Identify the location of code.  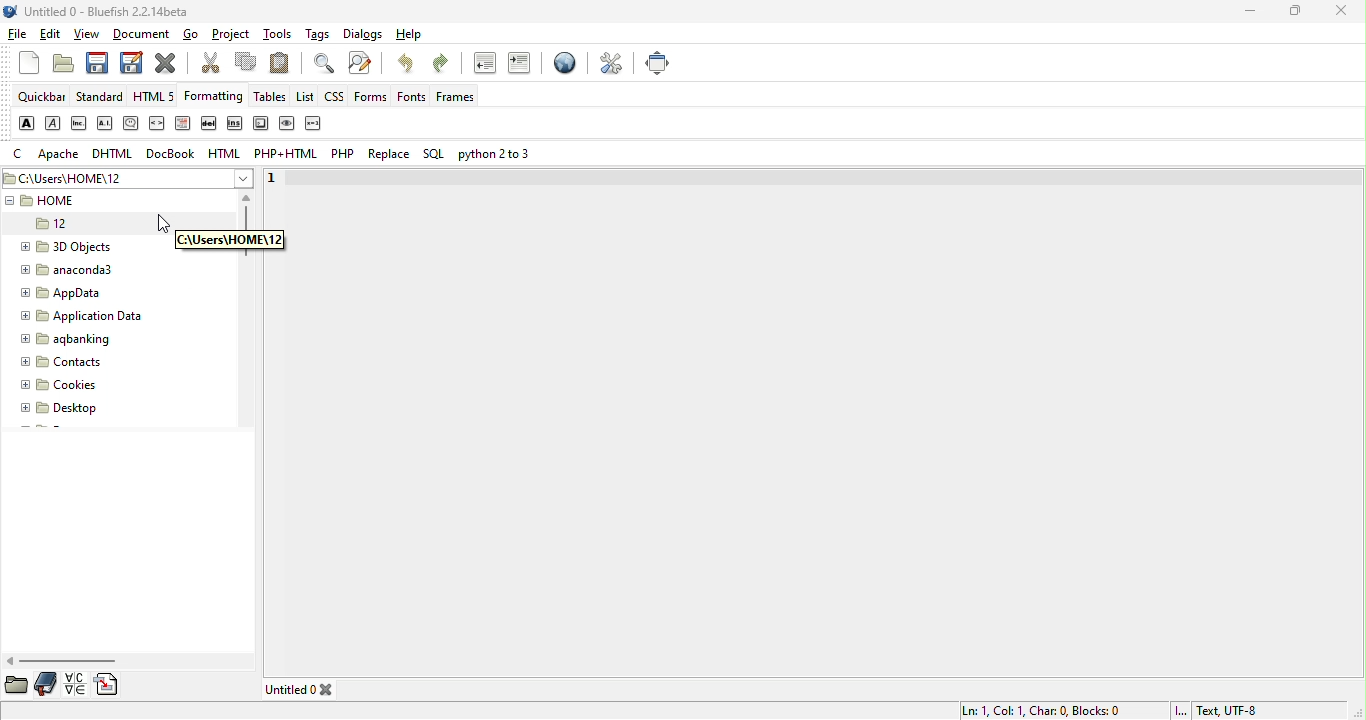
(157, 124).